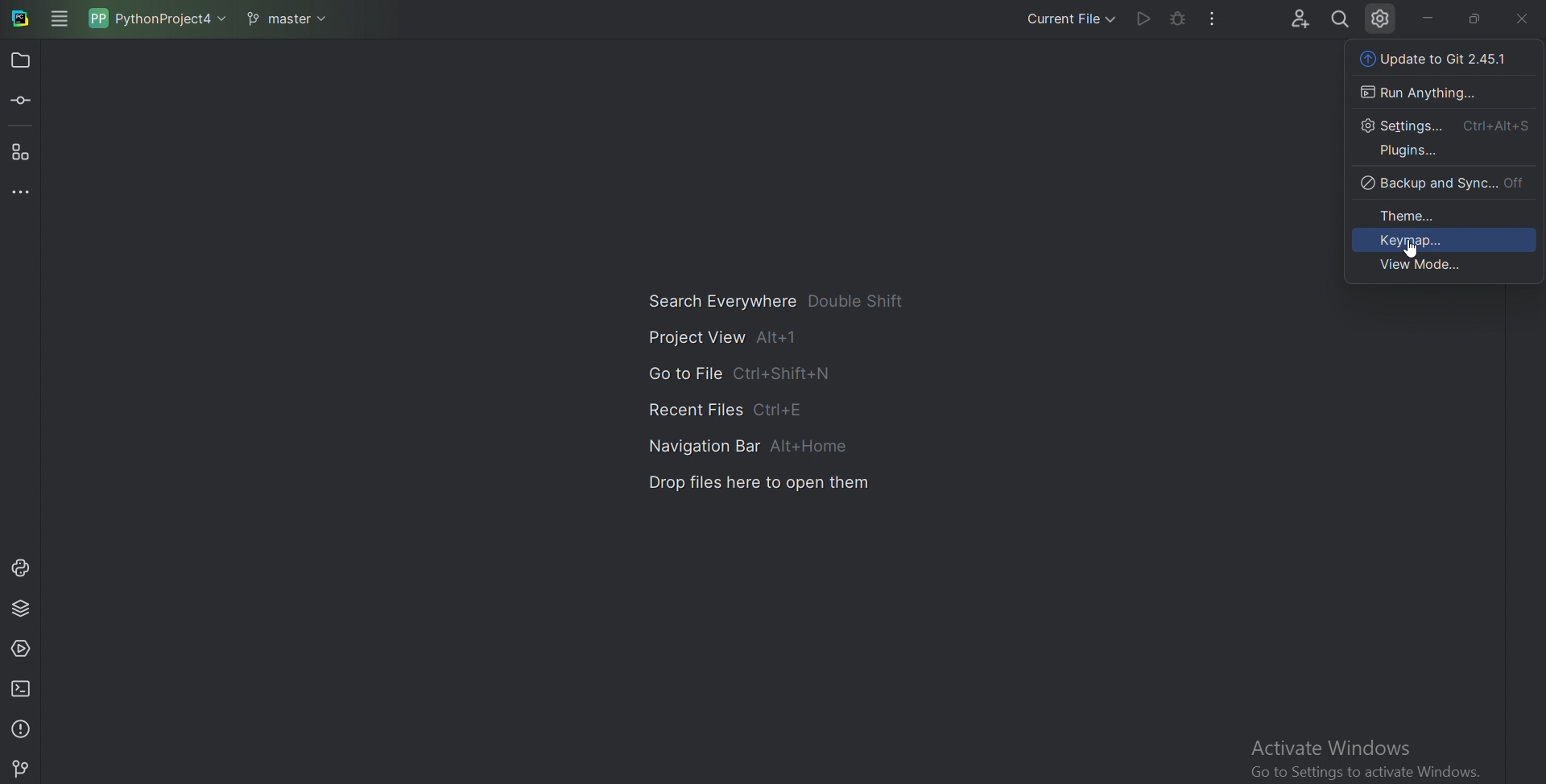  What do you see at coordinates (23, 689) in the screenshot?
I see `Terminal` at bounding box center [23, 689].